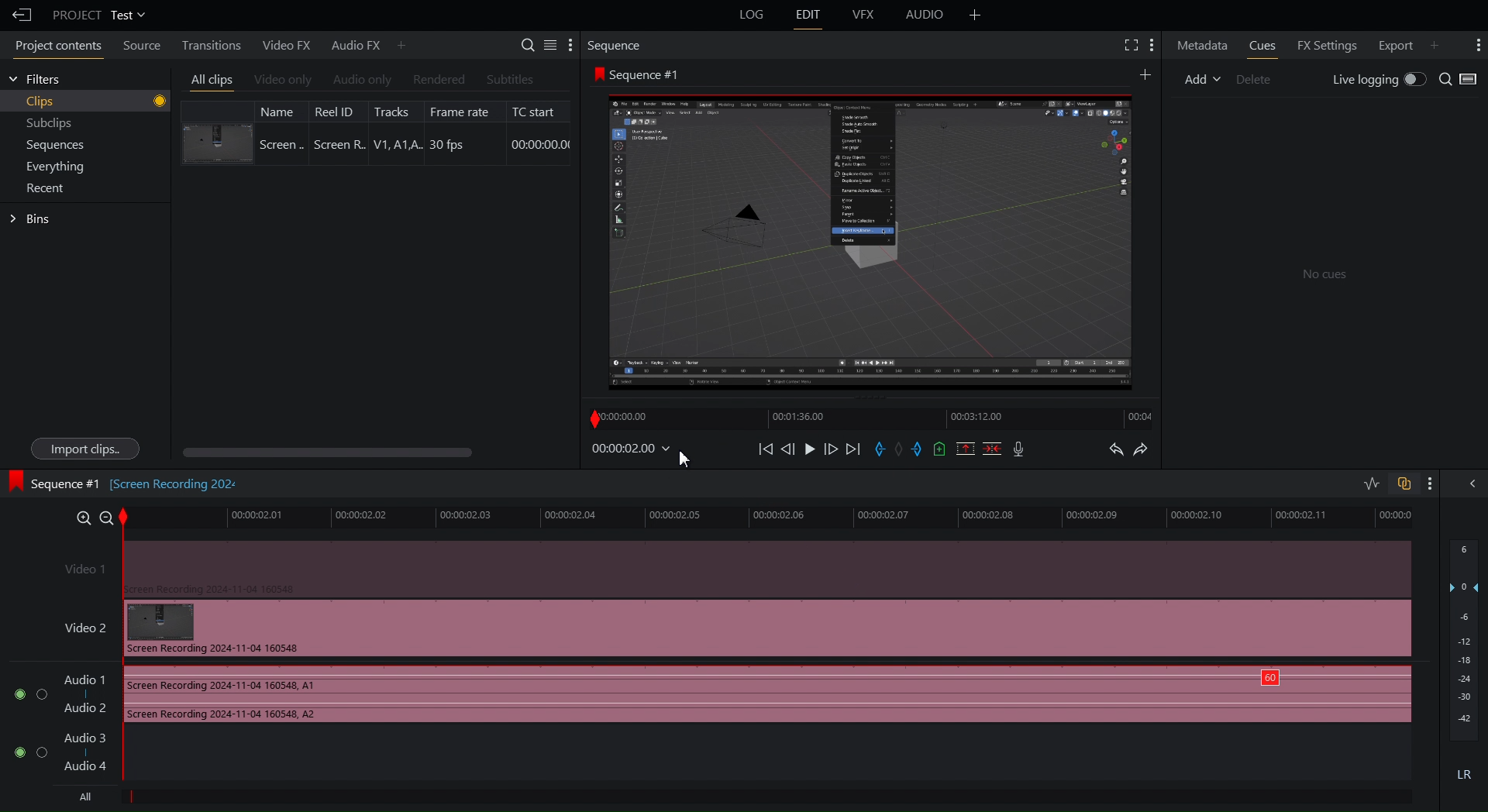 Image resolution: width=1488 pixels, height=812 pixels. I want to click on Search, so click(1459, 80).